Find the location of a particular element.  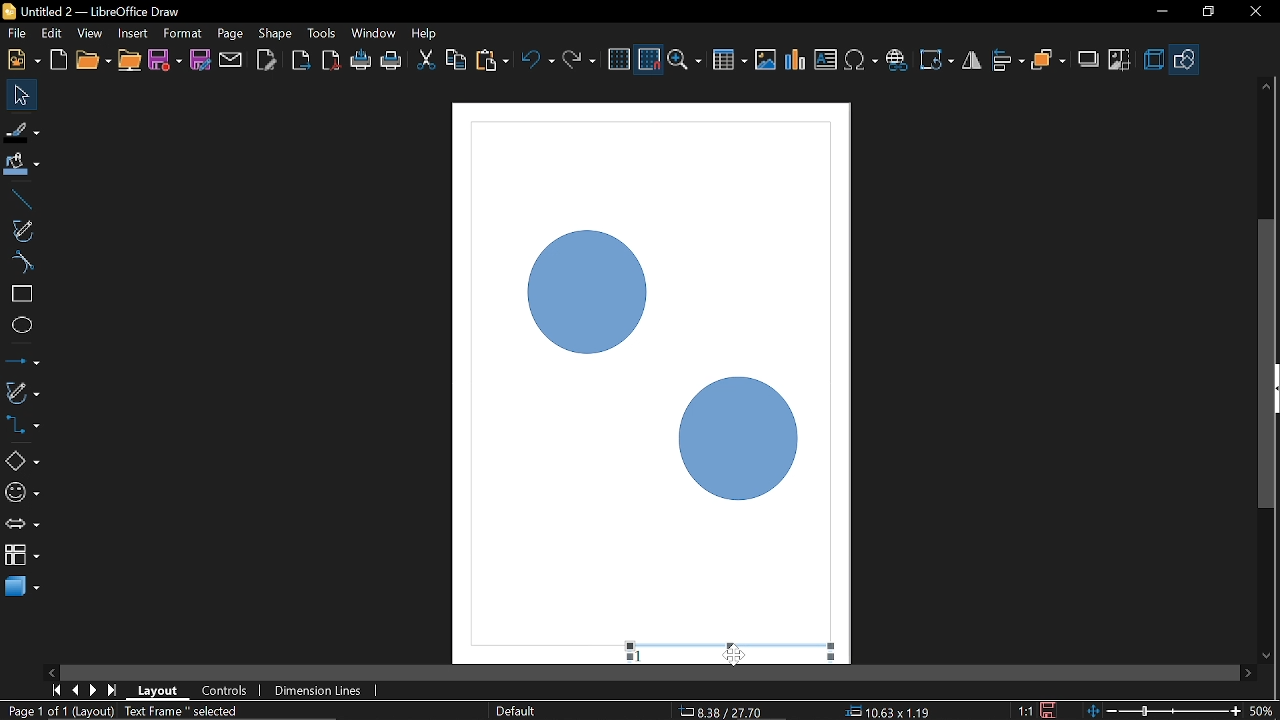

file is located at coordinates (17, 35).